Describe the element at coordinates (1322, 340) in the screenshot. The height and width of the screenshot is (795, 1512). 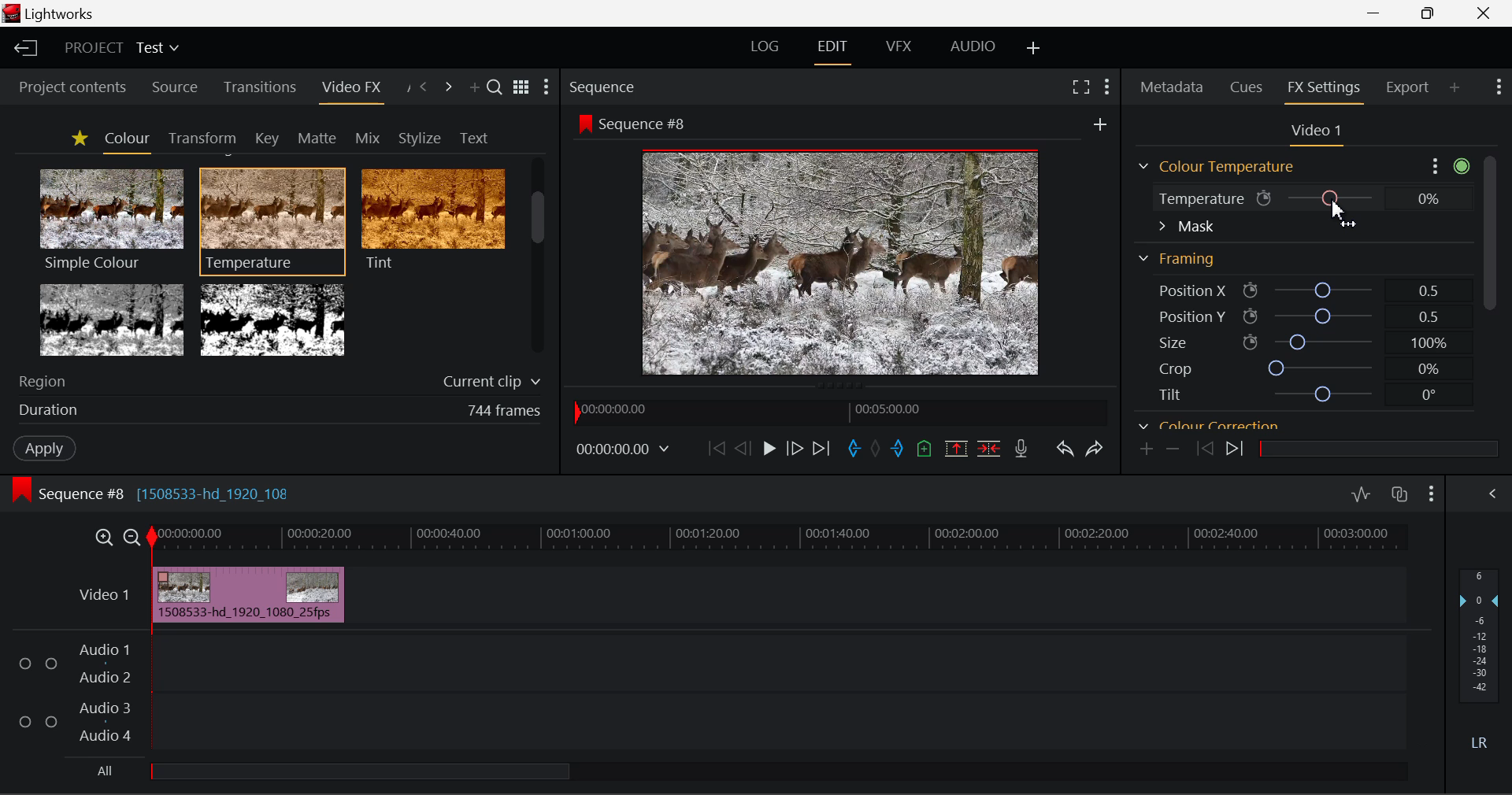
I see `size` at that location.